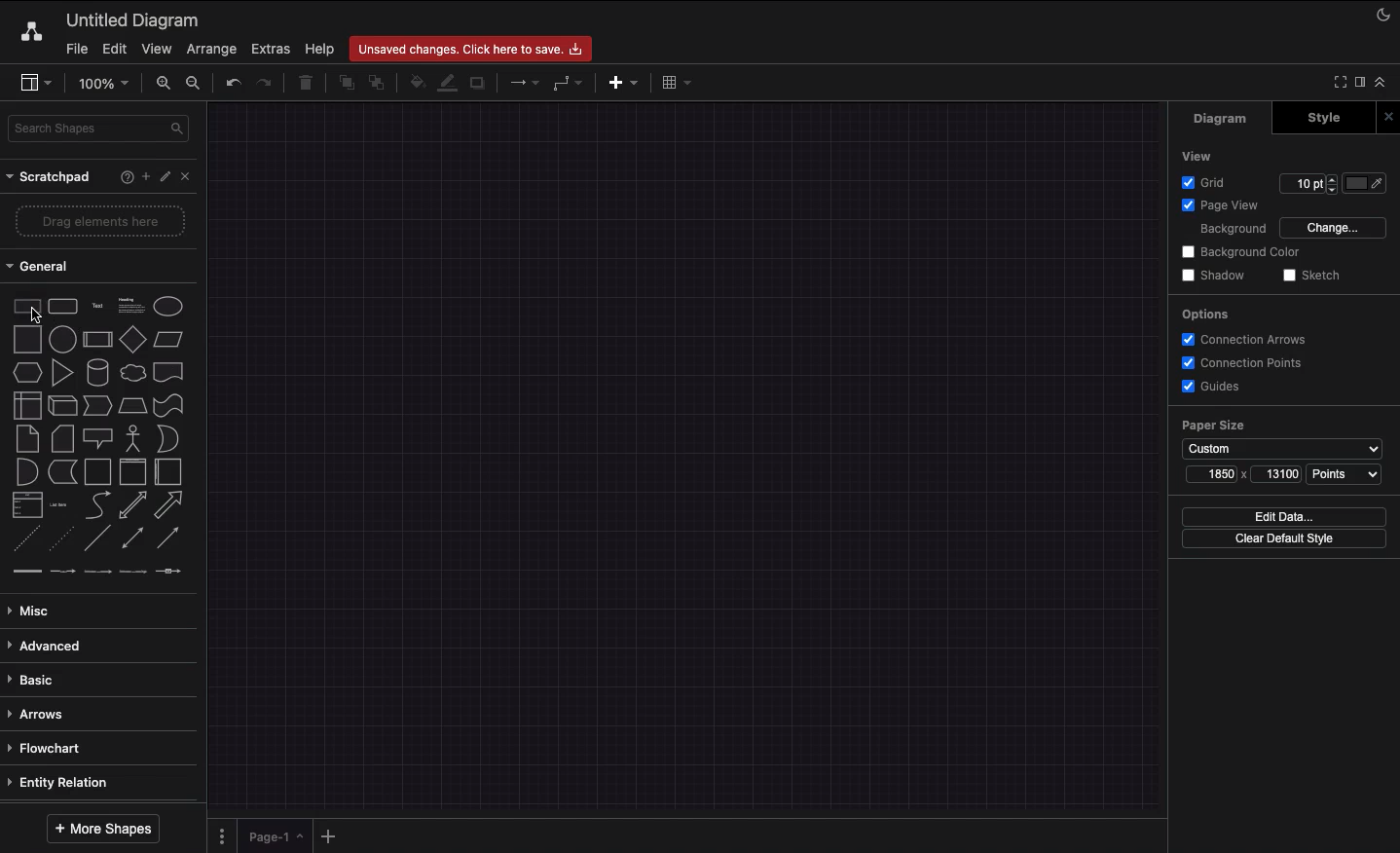 Image resolution: width=1400 pixels, height=853 pixels. Describe the element at coordinates (334, 835) in the screenshot. I see `Add new page` at that location.